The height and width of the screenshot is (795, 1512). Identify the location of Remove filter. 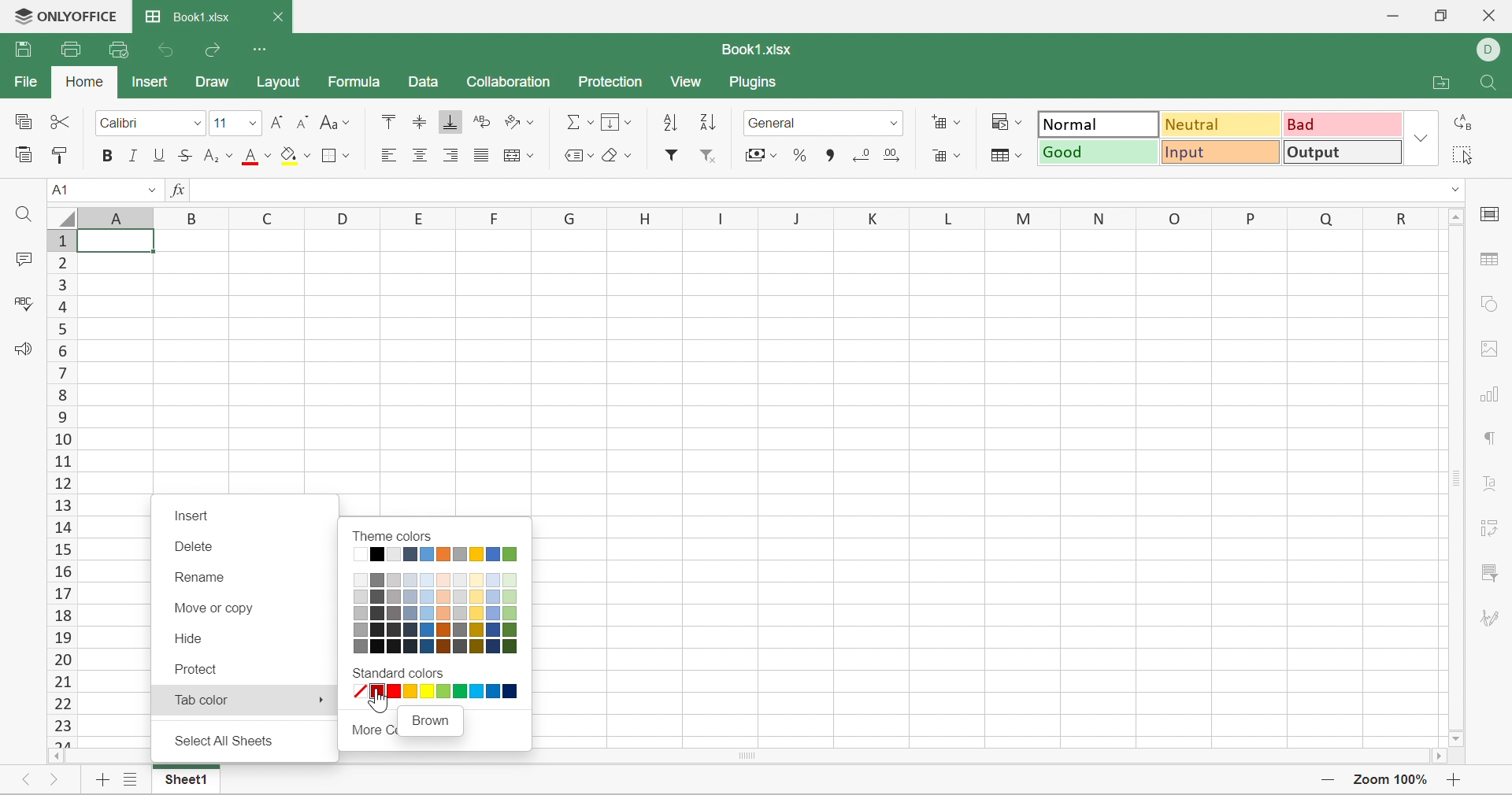
(707, 158).